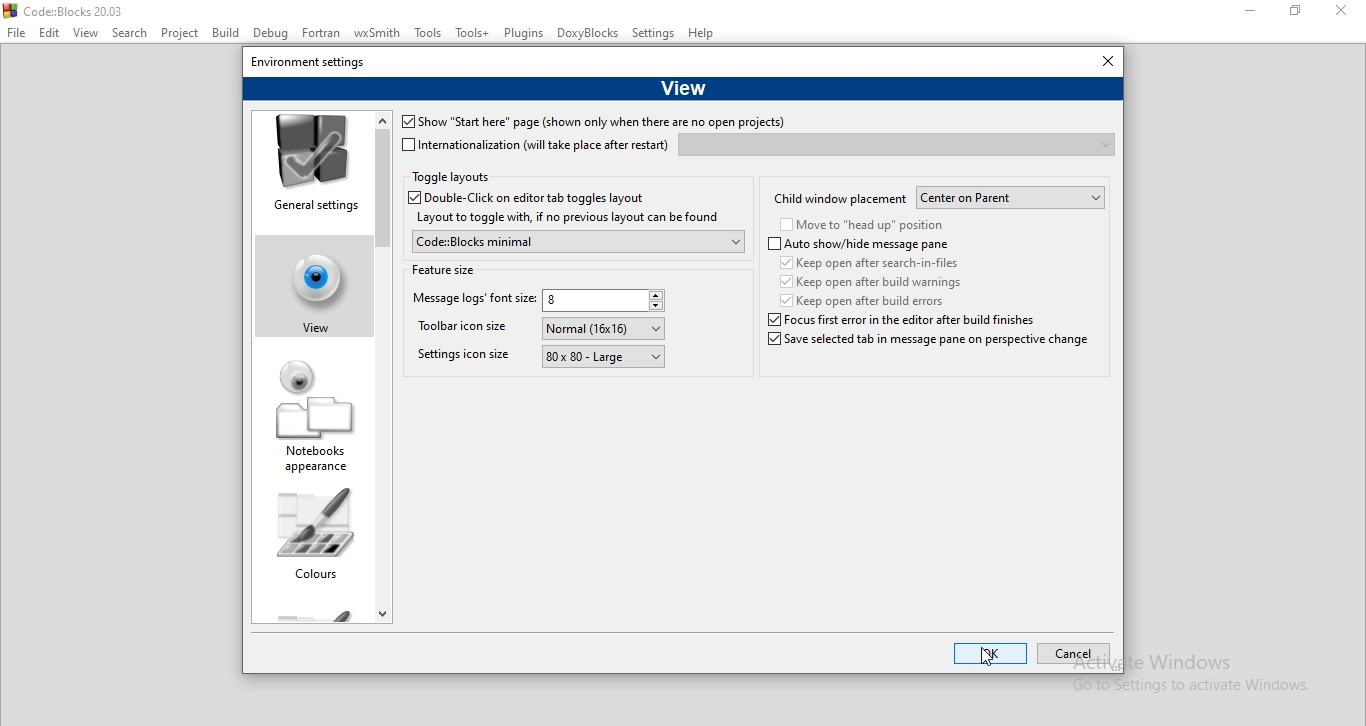 The height and width of the screenshot is (726, 1366). What do you see at coordinates (473, 34) in the screenshot?
I see `Tools+` at bounding box center [473, 34].